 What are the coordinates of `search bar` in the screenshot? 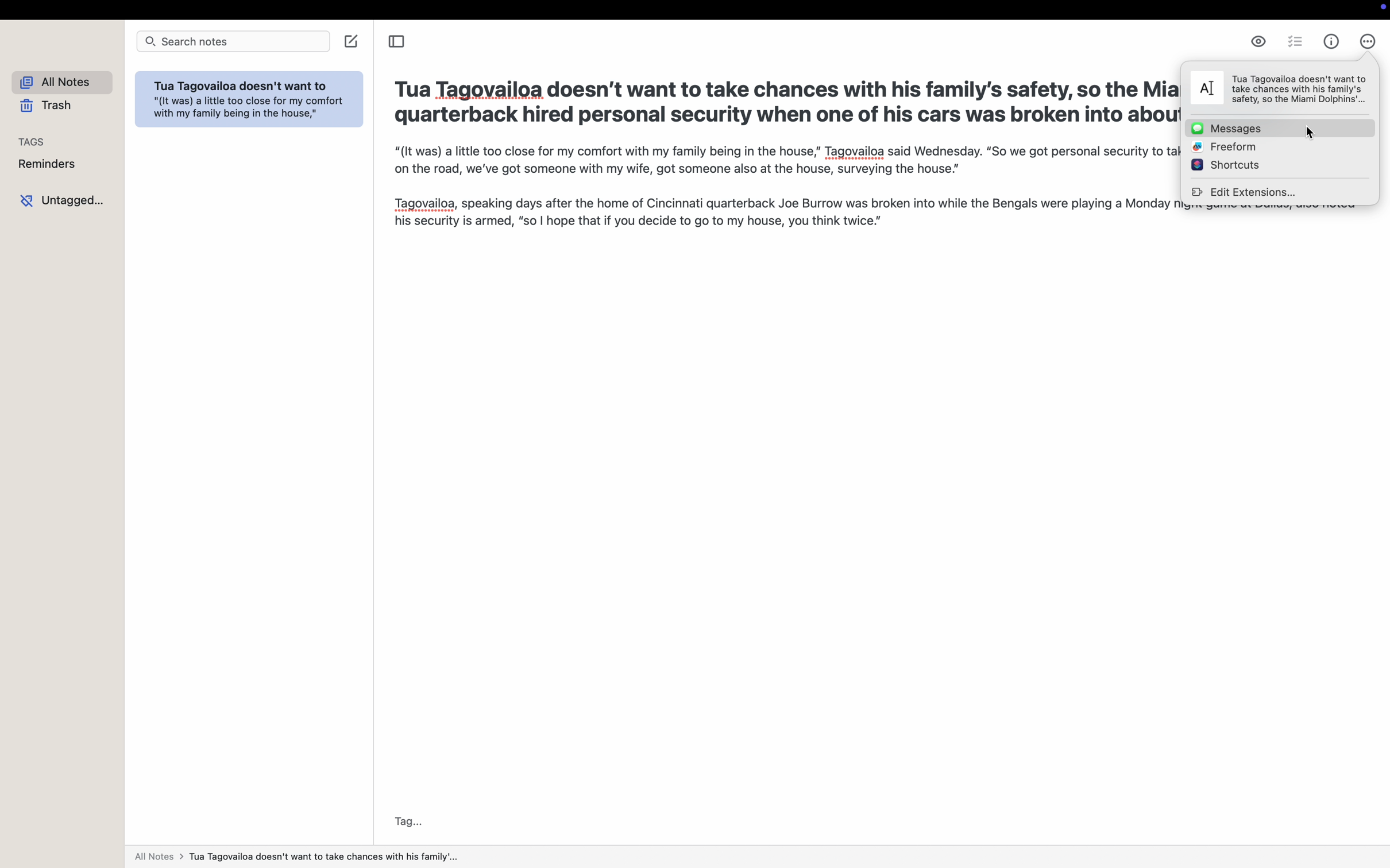 It's located at (234, 40).